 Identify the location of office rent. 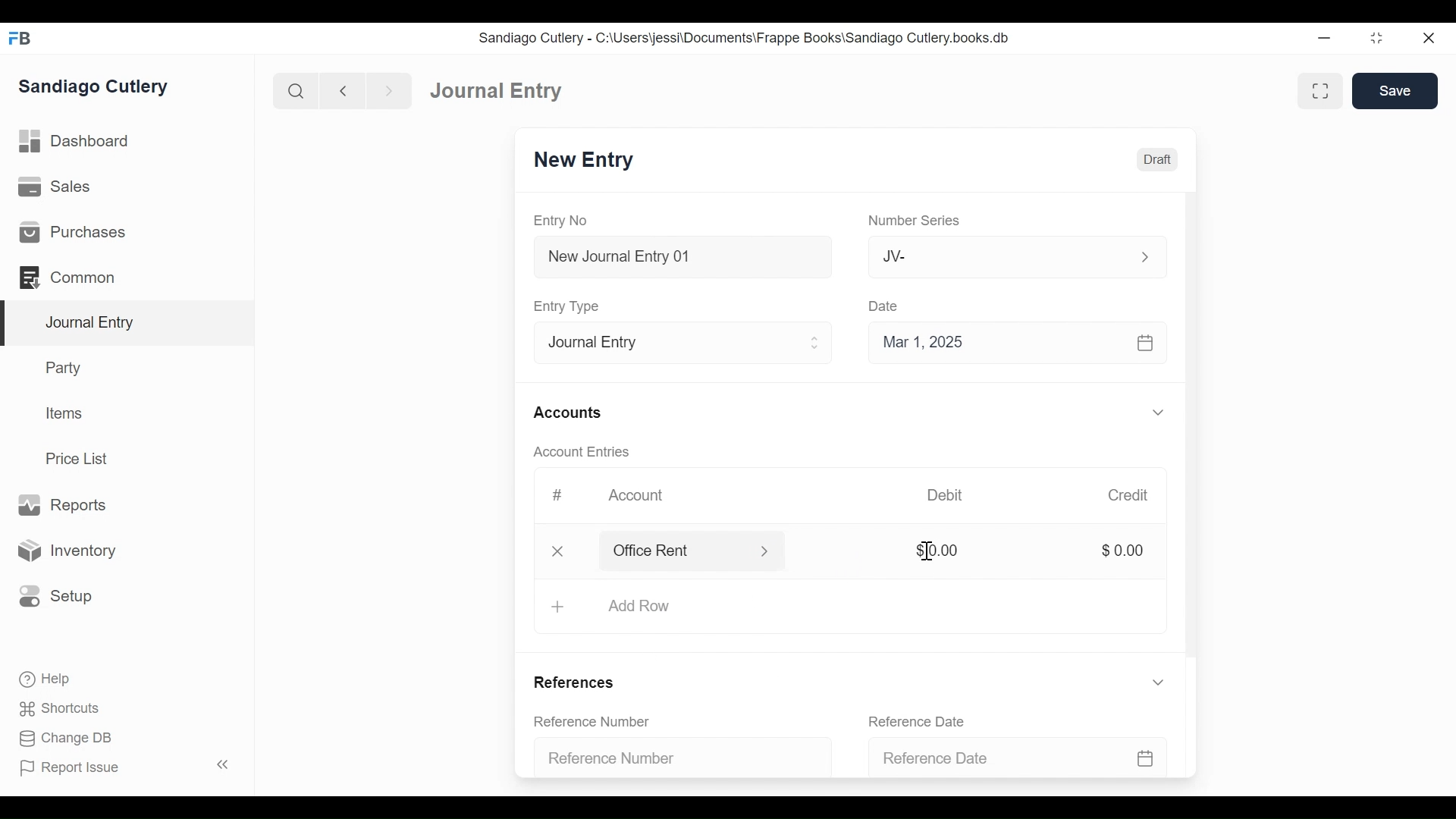
(708, 551).